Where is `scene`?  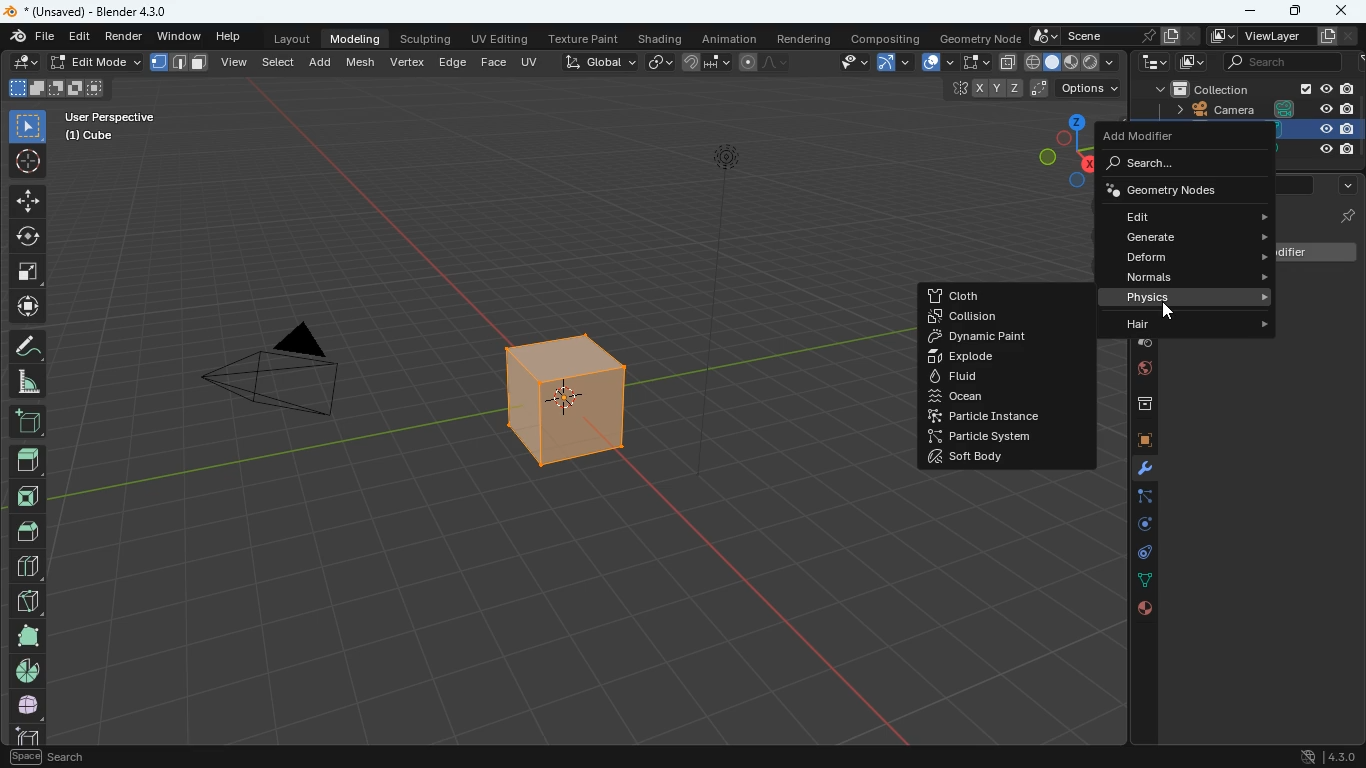 scene is located at coordinates (1111, 36).